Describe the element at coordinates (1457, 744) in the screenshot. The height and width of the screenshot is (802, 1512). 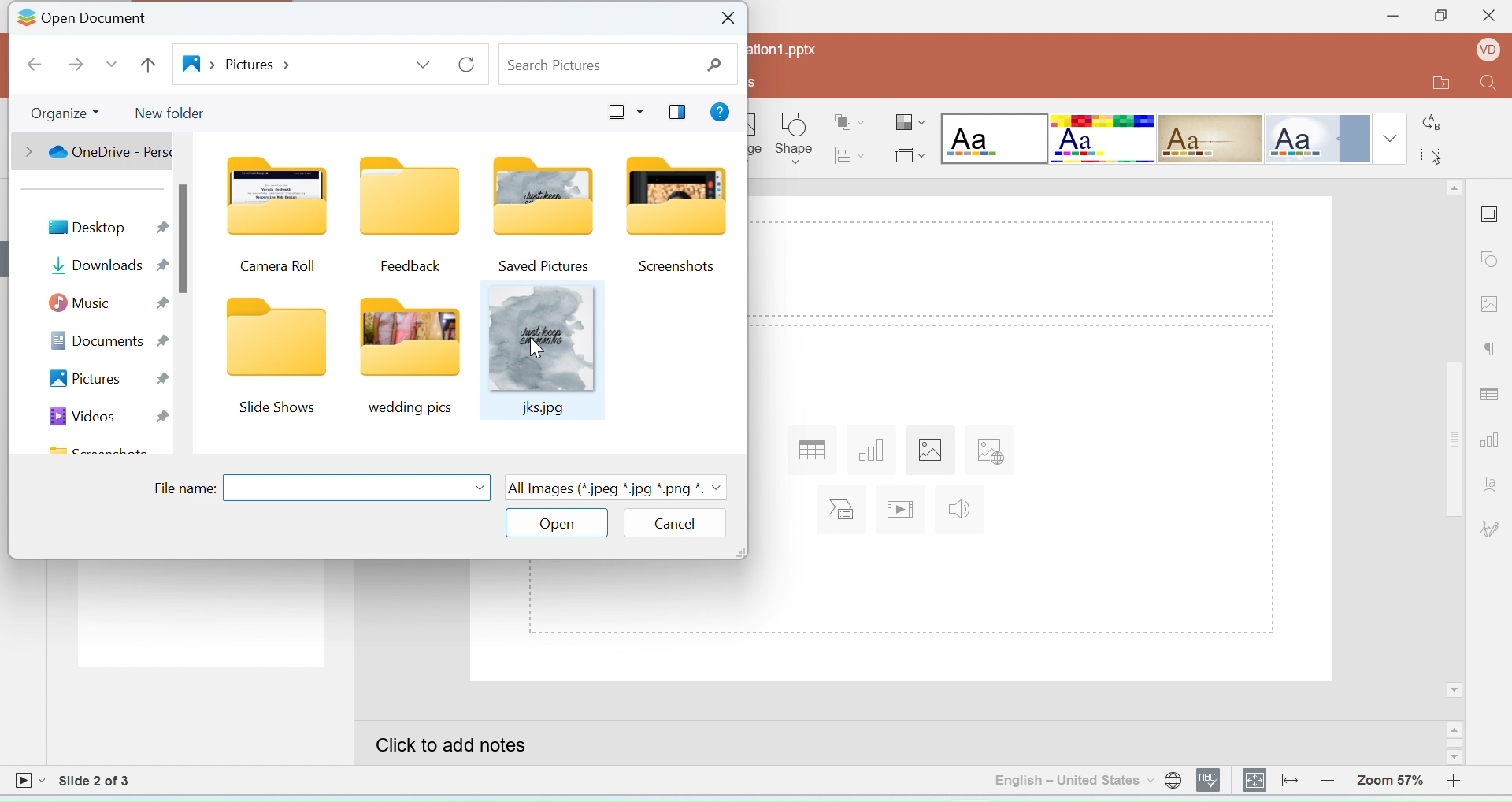
I see `Scroll bar` at that location.